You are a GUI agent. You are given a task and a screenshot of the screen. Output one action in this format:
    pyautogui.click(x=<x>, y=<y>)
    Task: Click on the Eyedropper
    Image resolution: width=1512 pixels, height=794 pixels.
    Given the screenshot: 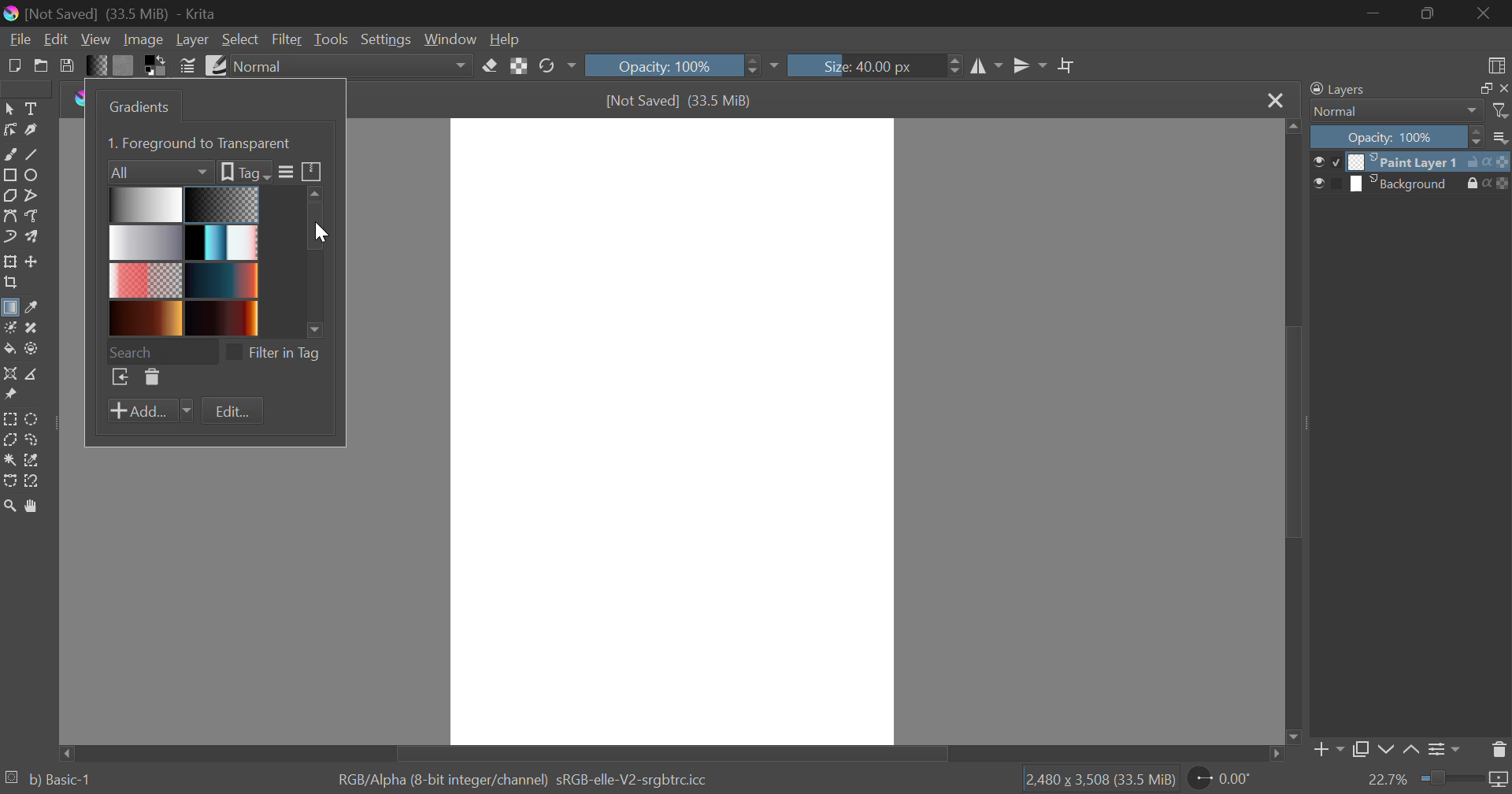 What is the action you would take?
    pyautogui.click(x=30, y=309)
    